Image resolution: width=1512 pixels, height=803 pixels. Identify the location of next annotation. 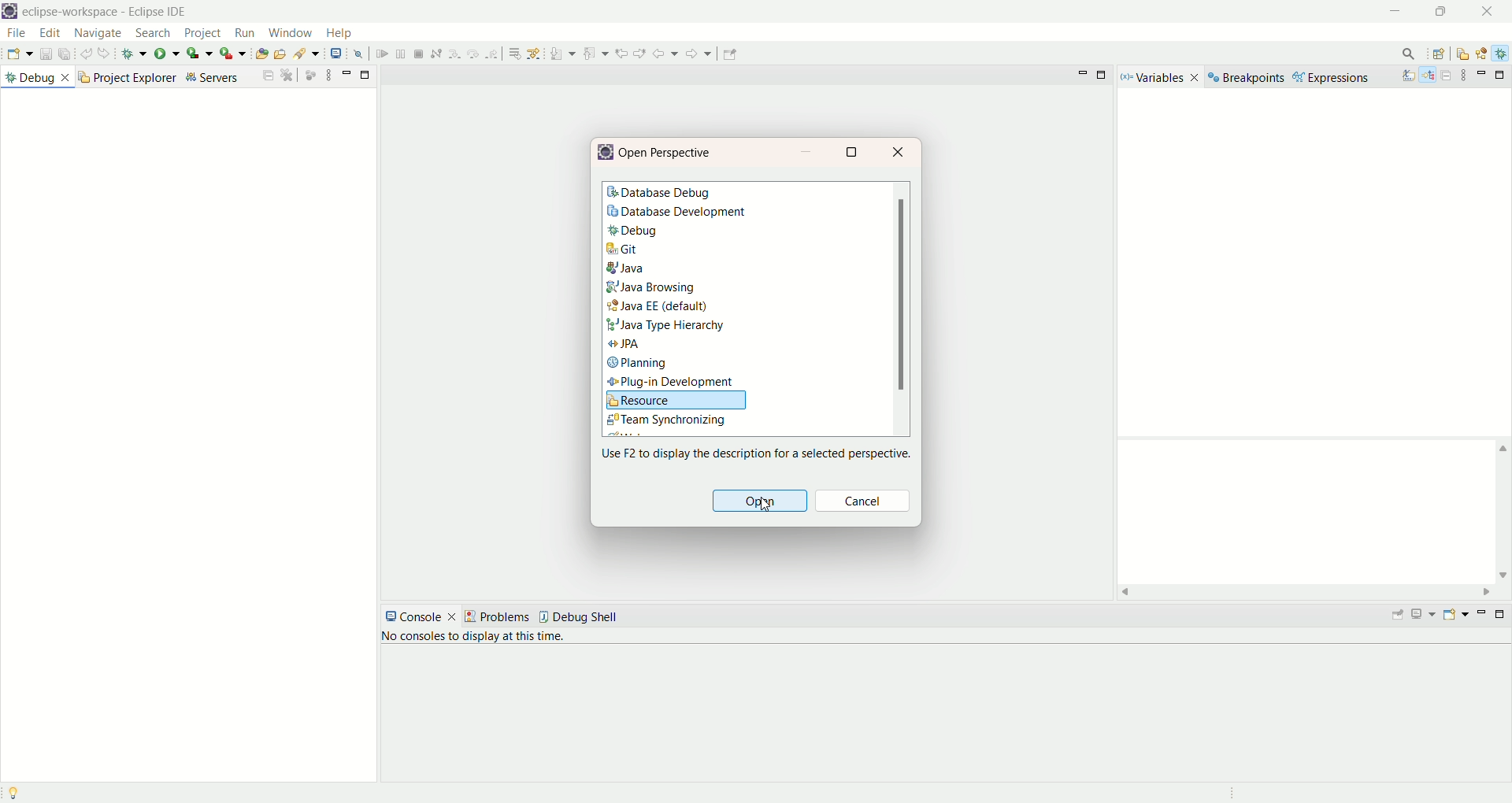
(675, 53).